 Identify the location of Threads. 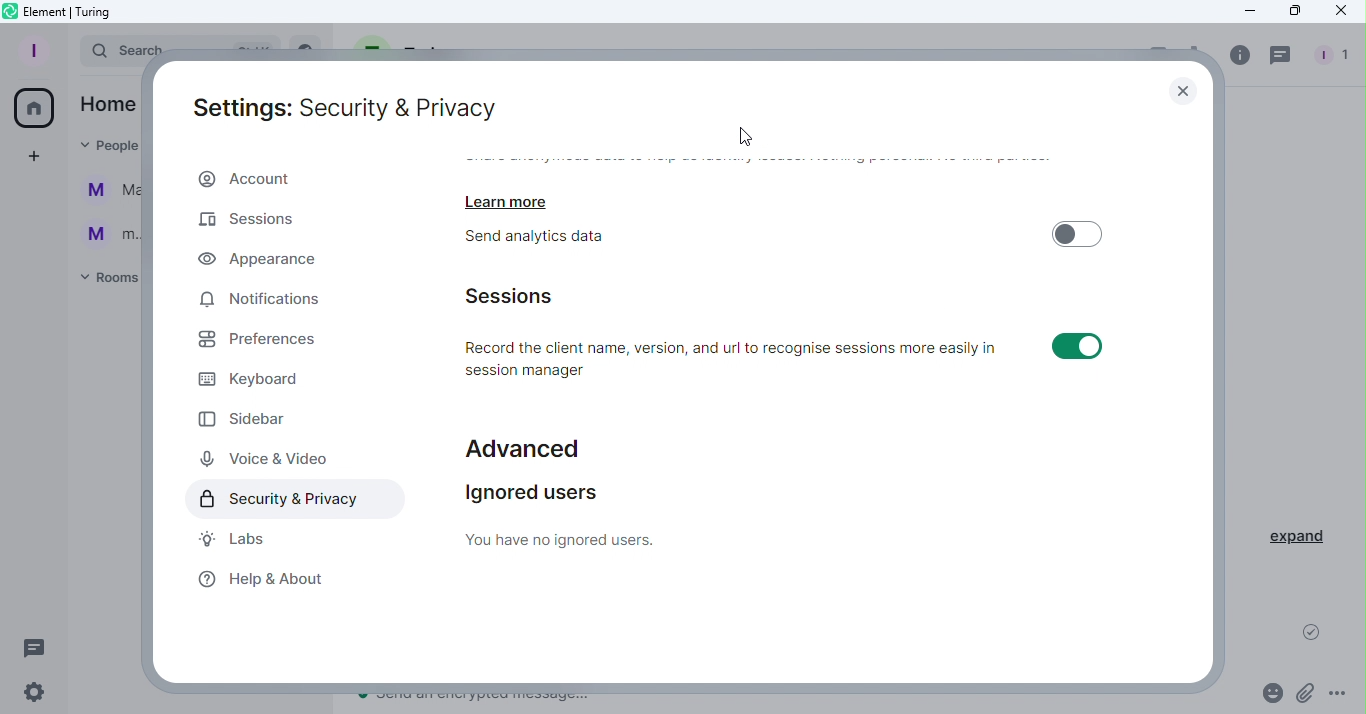
(38, 647).